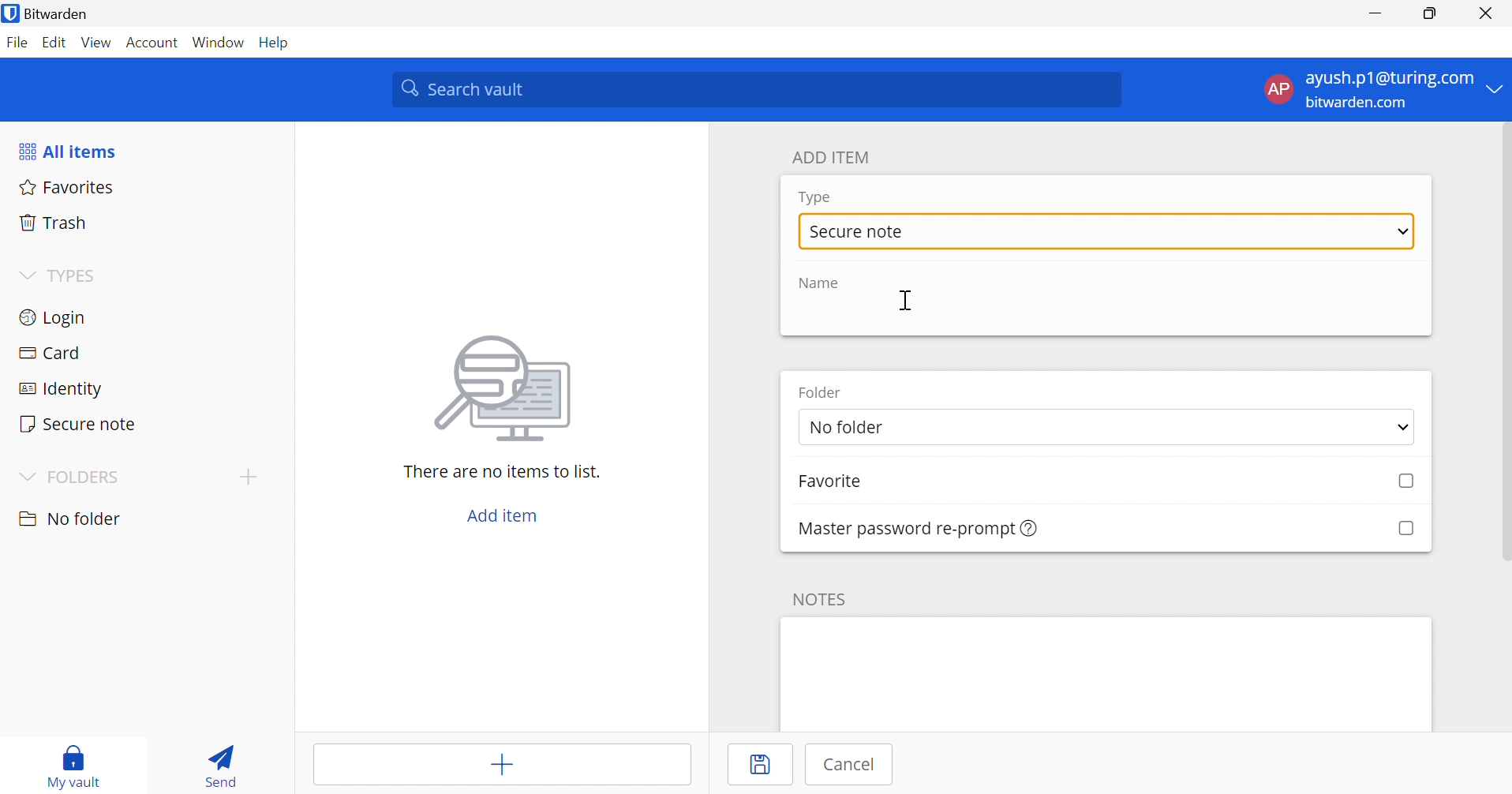  What do you see at coordinates (816, 197) in the screenshot?
I see `Type` at bounding box center [816, 197].